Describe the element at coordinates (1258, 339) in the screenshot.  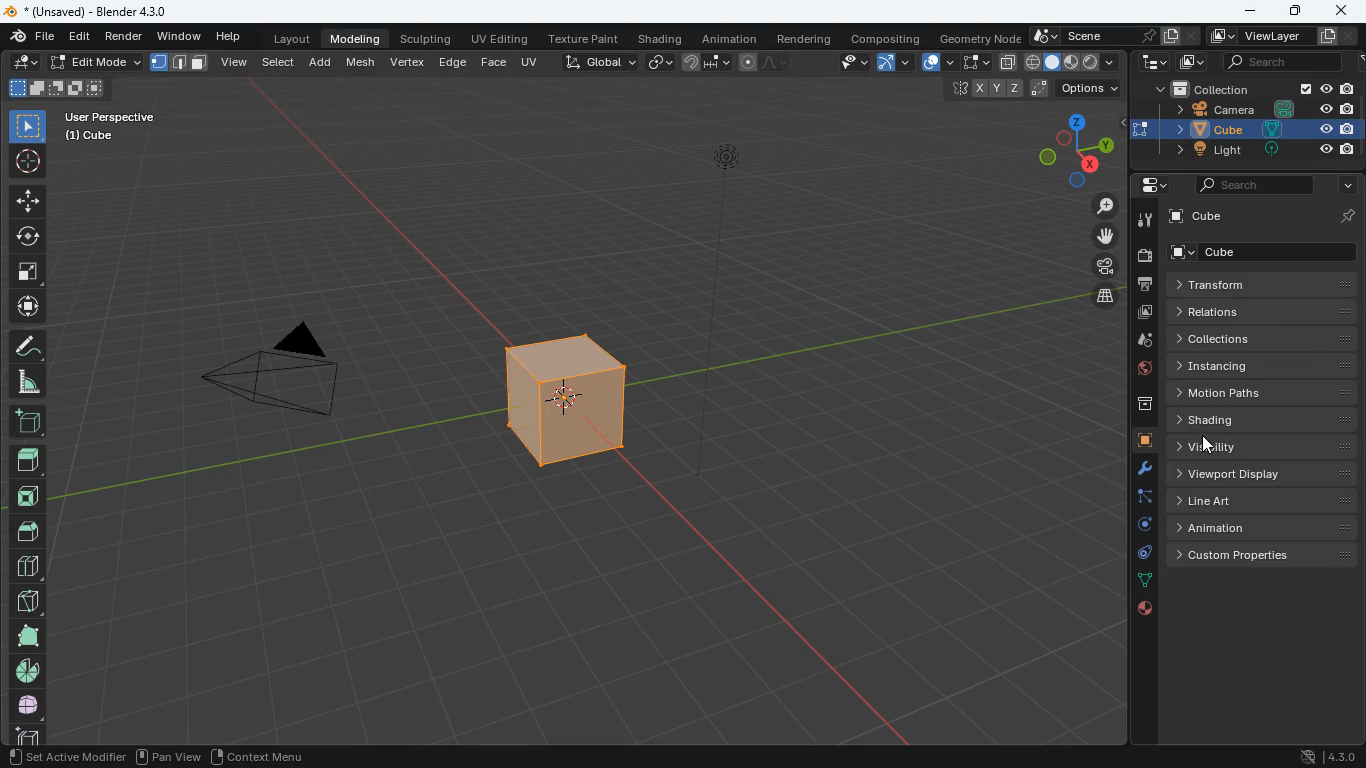
I see `collections` at that location.